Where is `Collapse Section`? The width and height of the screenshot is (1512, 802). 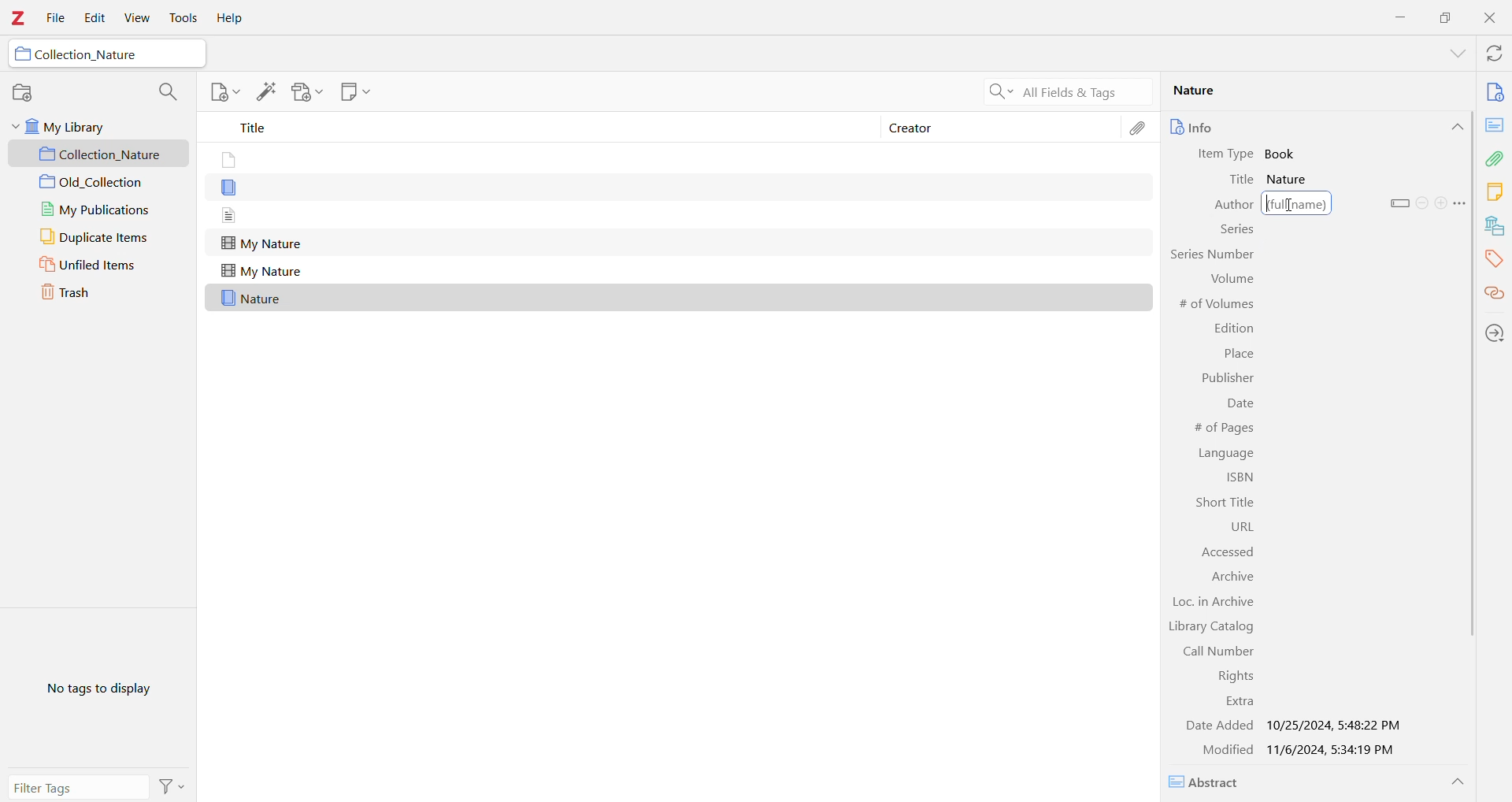 Collapse Section is located at coordinates (1456, 127).